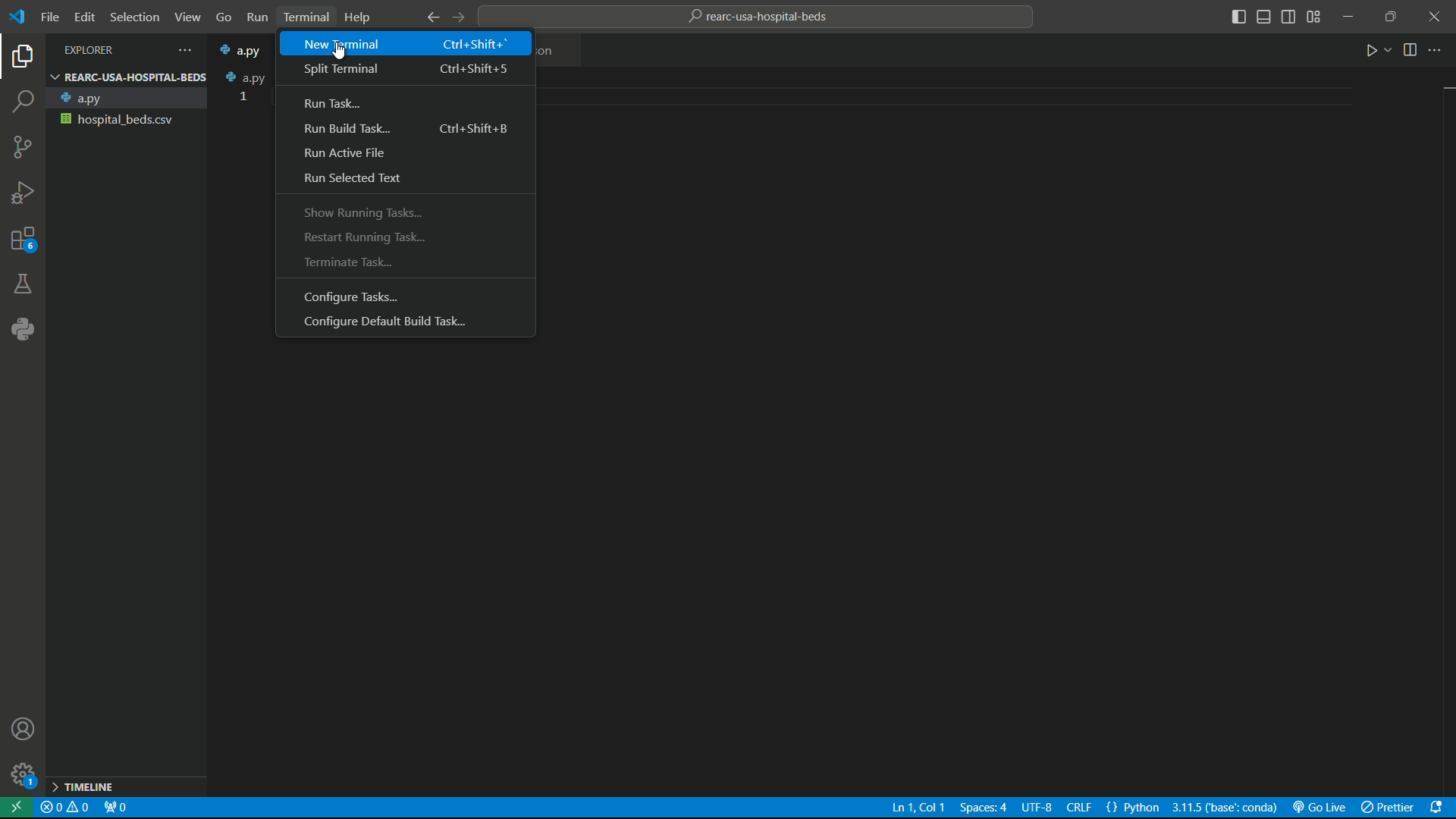 The width and height of the screenshot is (1456, 819). I want to click on configure default build task, so click(403, 323).